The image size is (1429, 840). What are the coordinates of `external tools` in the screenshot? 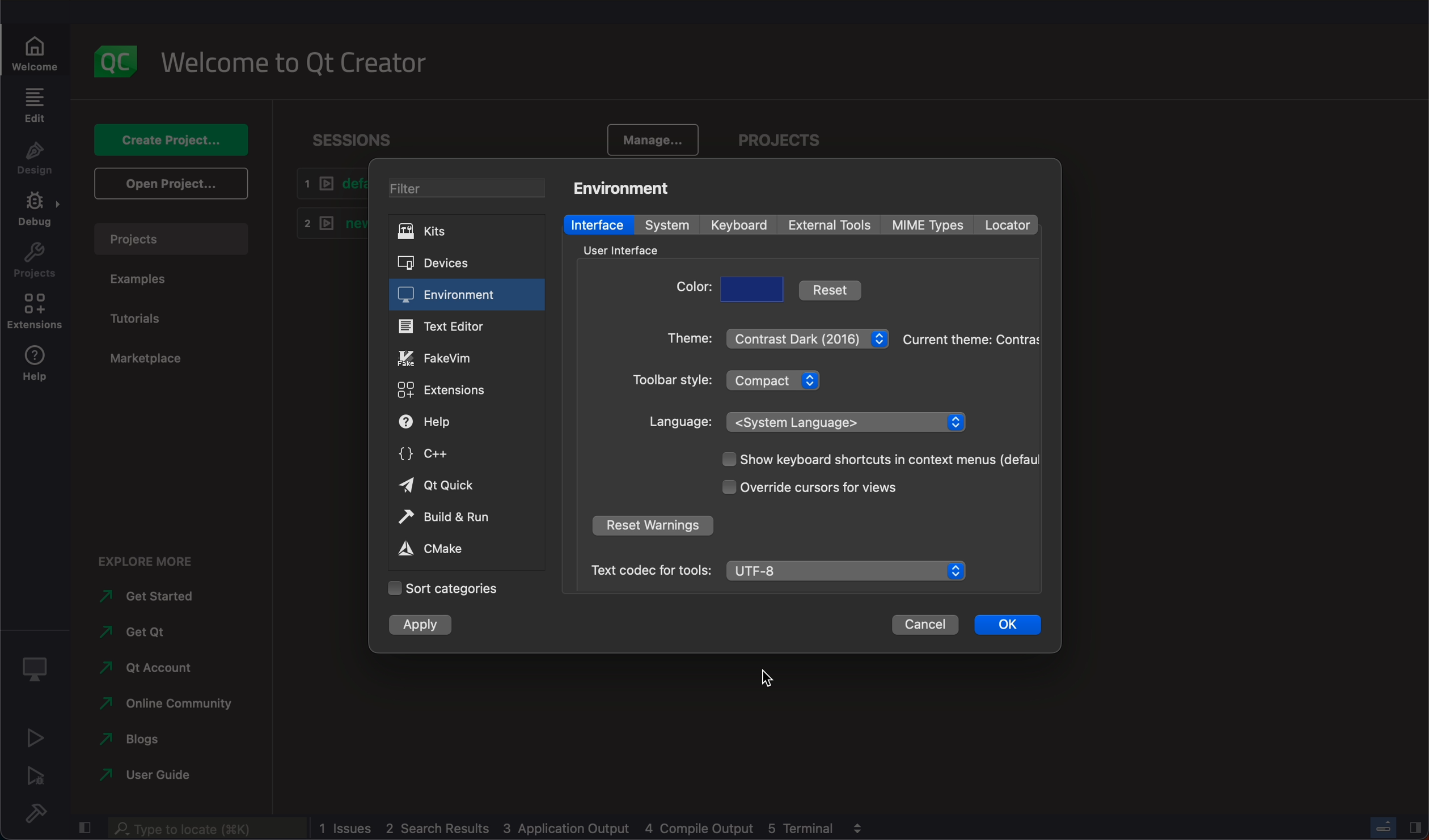 It's located at (832, 224).